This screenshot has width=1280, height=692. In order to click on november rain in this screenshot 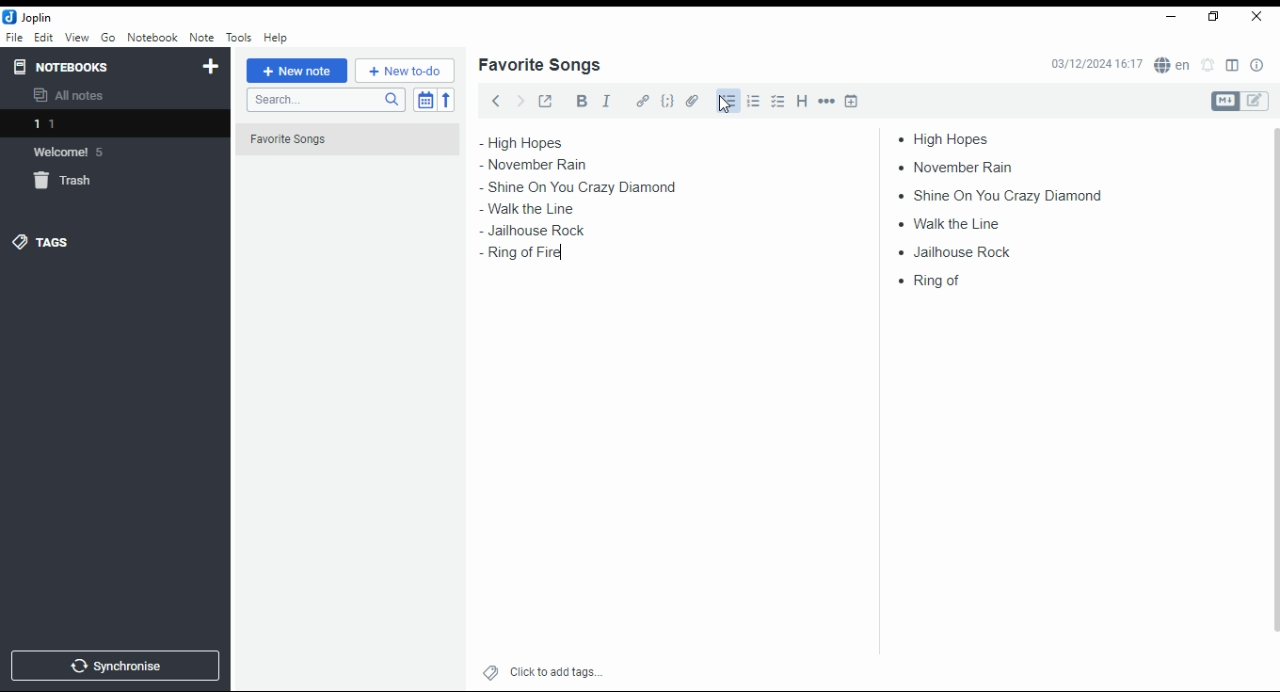, I will do `click(962, 166)`.